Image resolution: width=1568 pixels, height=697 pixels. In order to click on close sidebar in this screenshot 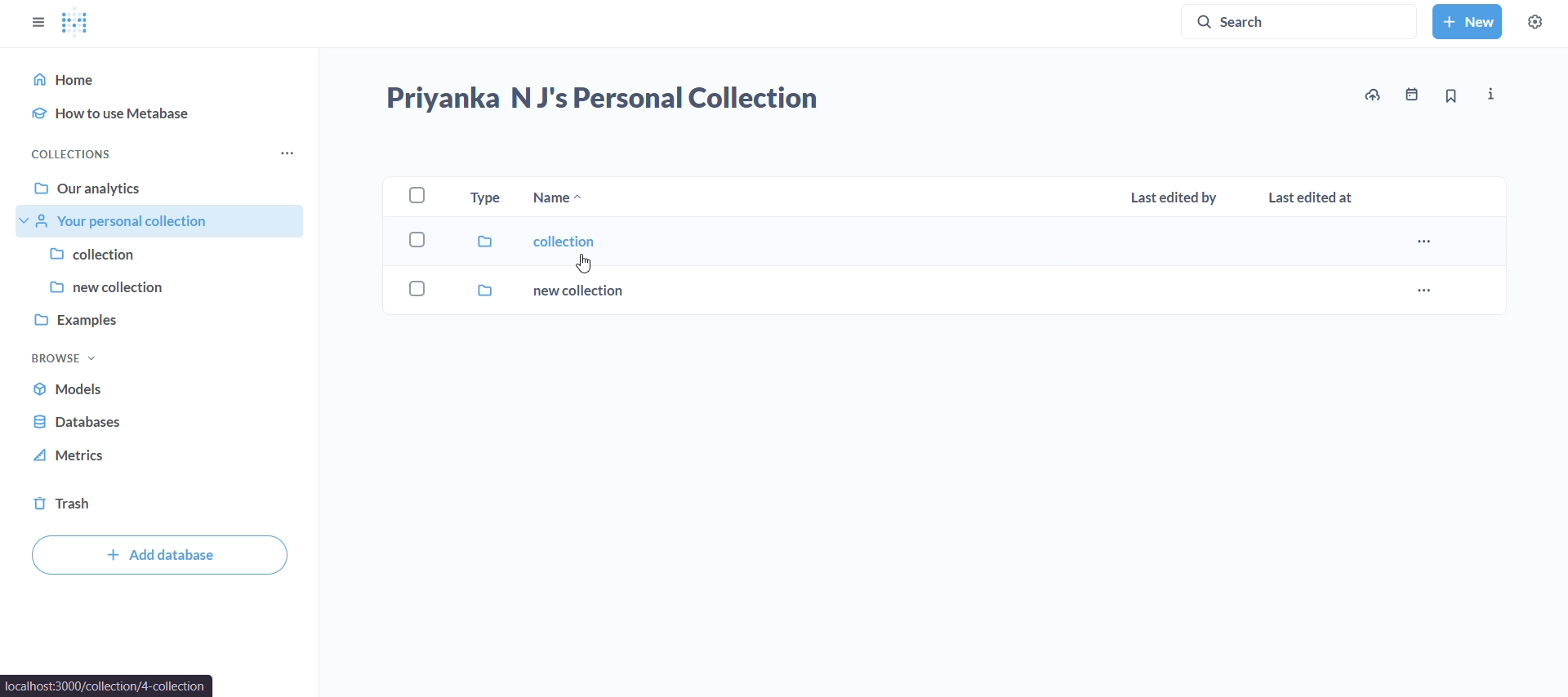, I will do `click(37, 22)`.